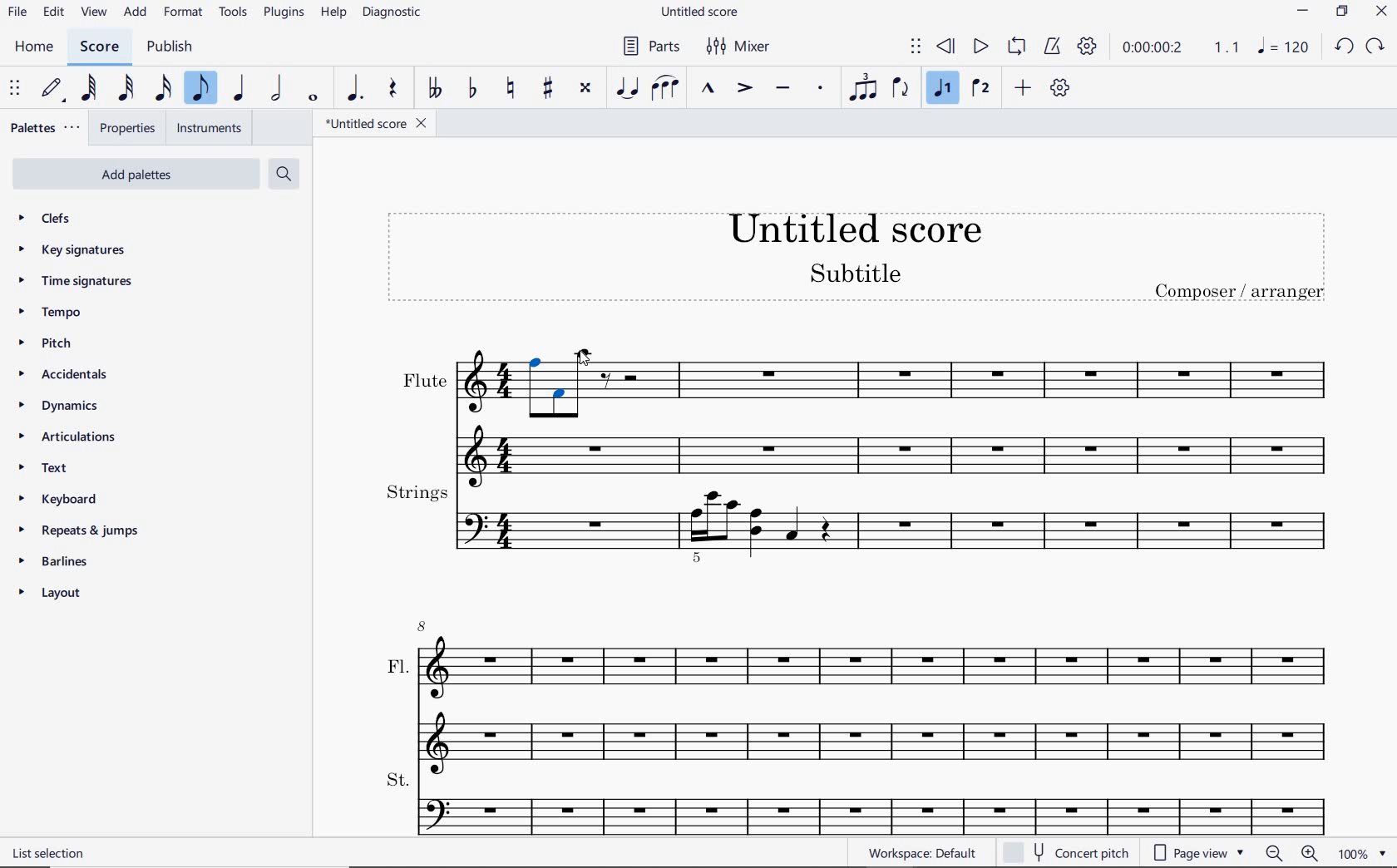 Image resolution: width=1397 pixels, height=868 pixels. Describe the element at coordinates (131, 126) in the screenshot. I see `PROPERTIES` at that location.